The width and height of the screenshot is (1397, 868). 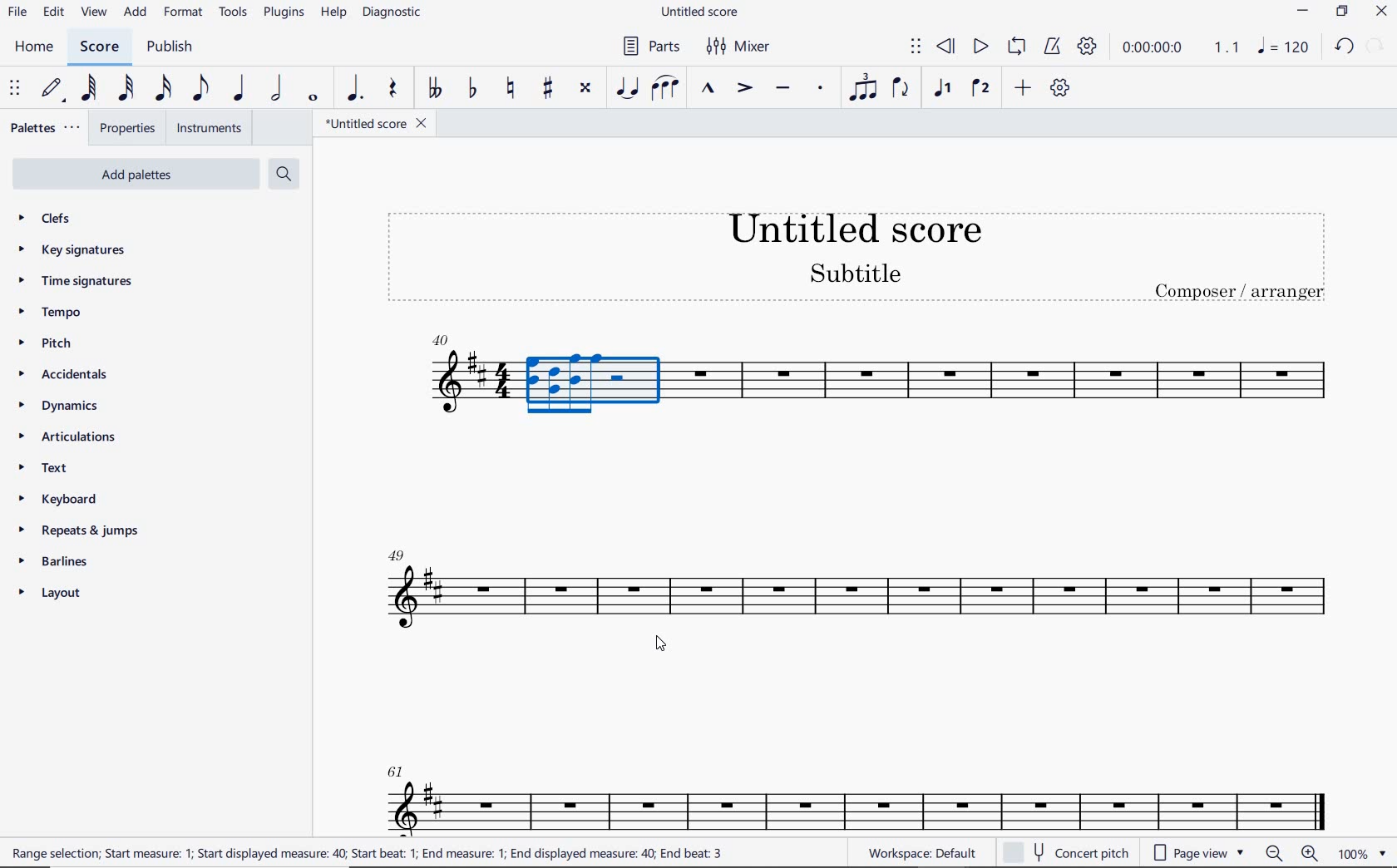 I want to click on SLUR, so click(x=665, y=90).